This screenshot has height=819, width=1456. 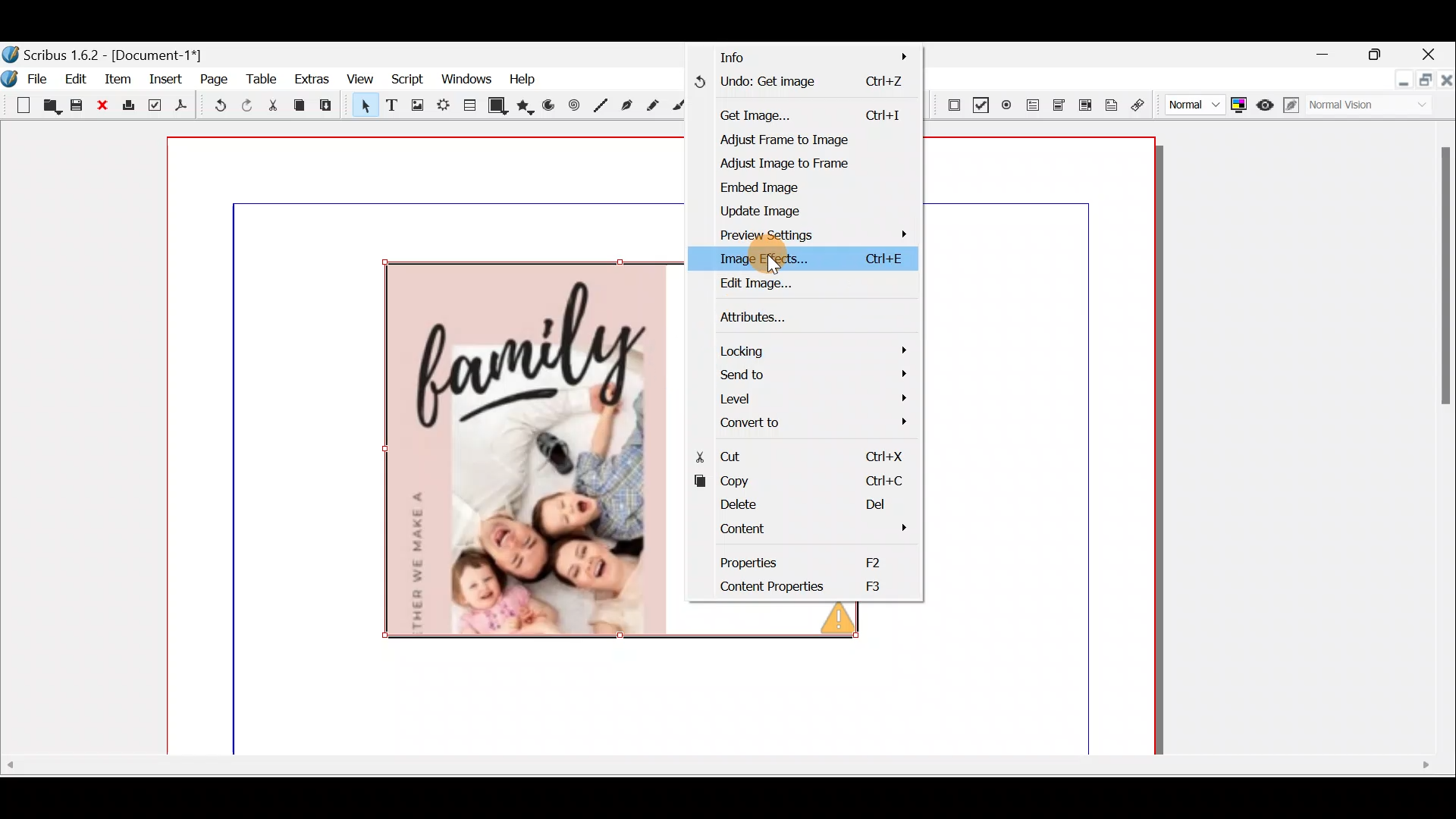 What do you see at coordinates (803, 84) in the screenshot?
I see `Undo: Get image` at bounding box center [803, 84].